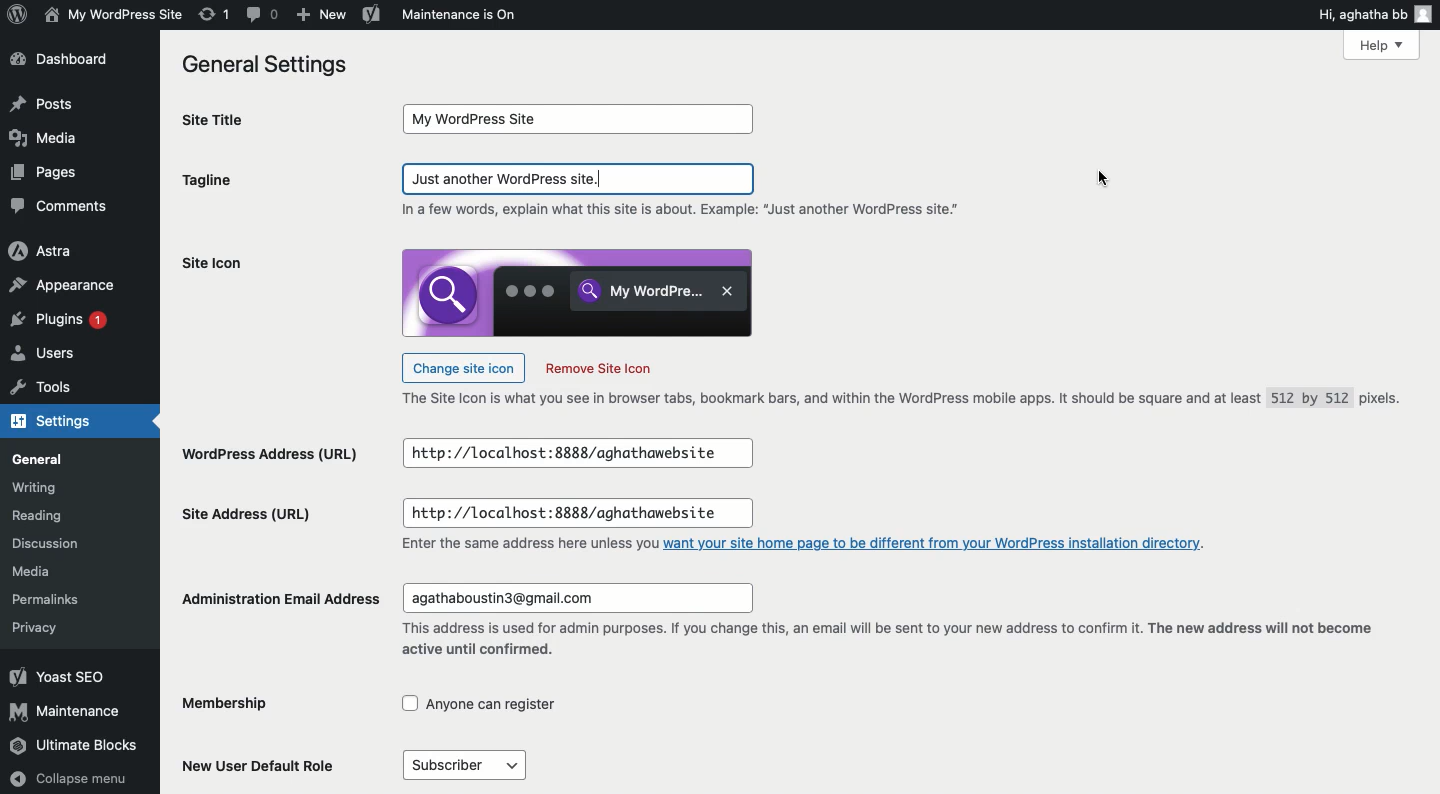 Image resolution: width=1440 pixels, height=794 pixels. What do you see at coordinates (1376, 14) in the screenshot?
I see `Hi user` at bounding box center [1376, 14].